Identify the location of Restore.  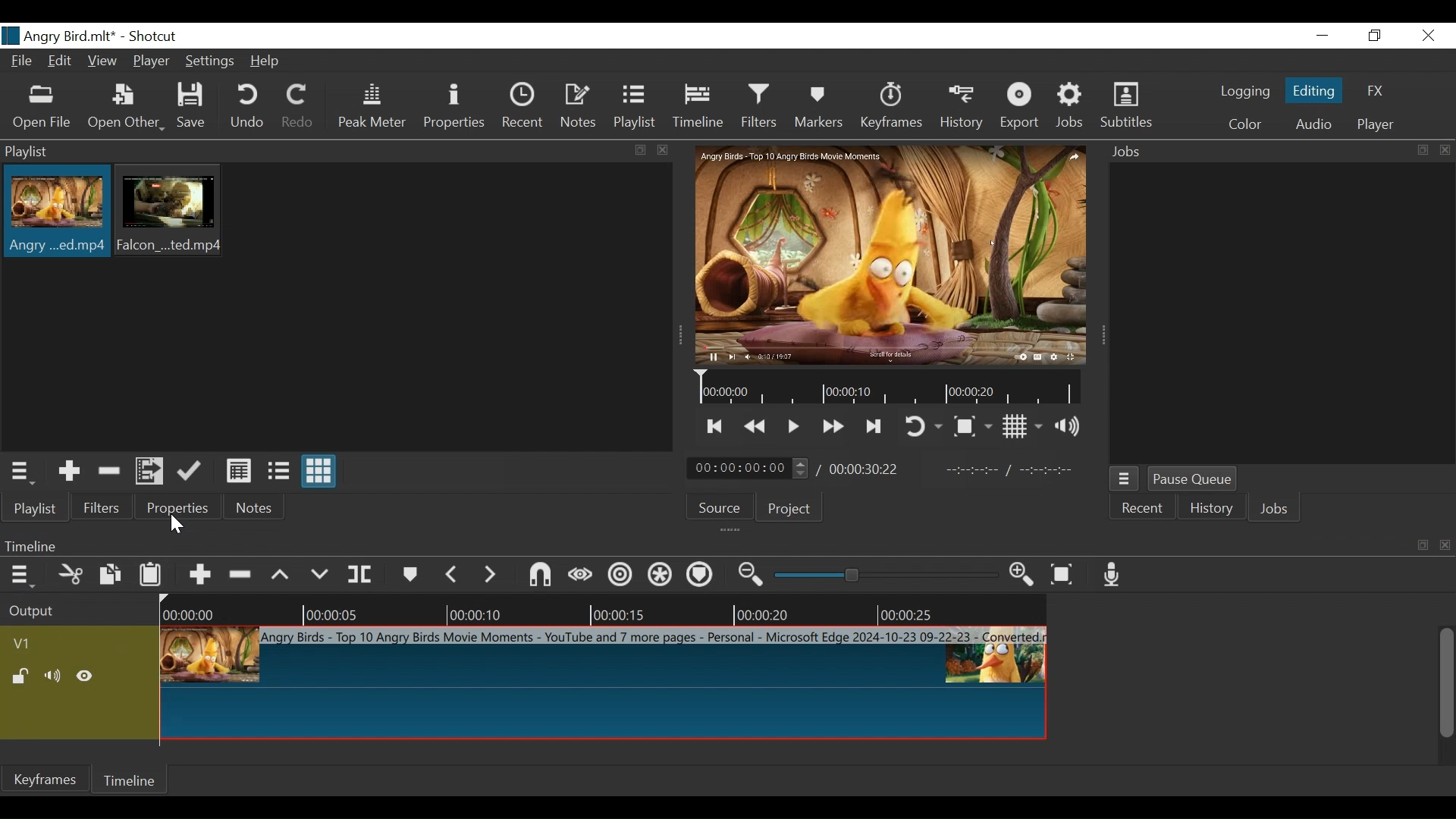
(1372, 36).